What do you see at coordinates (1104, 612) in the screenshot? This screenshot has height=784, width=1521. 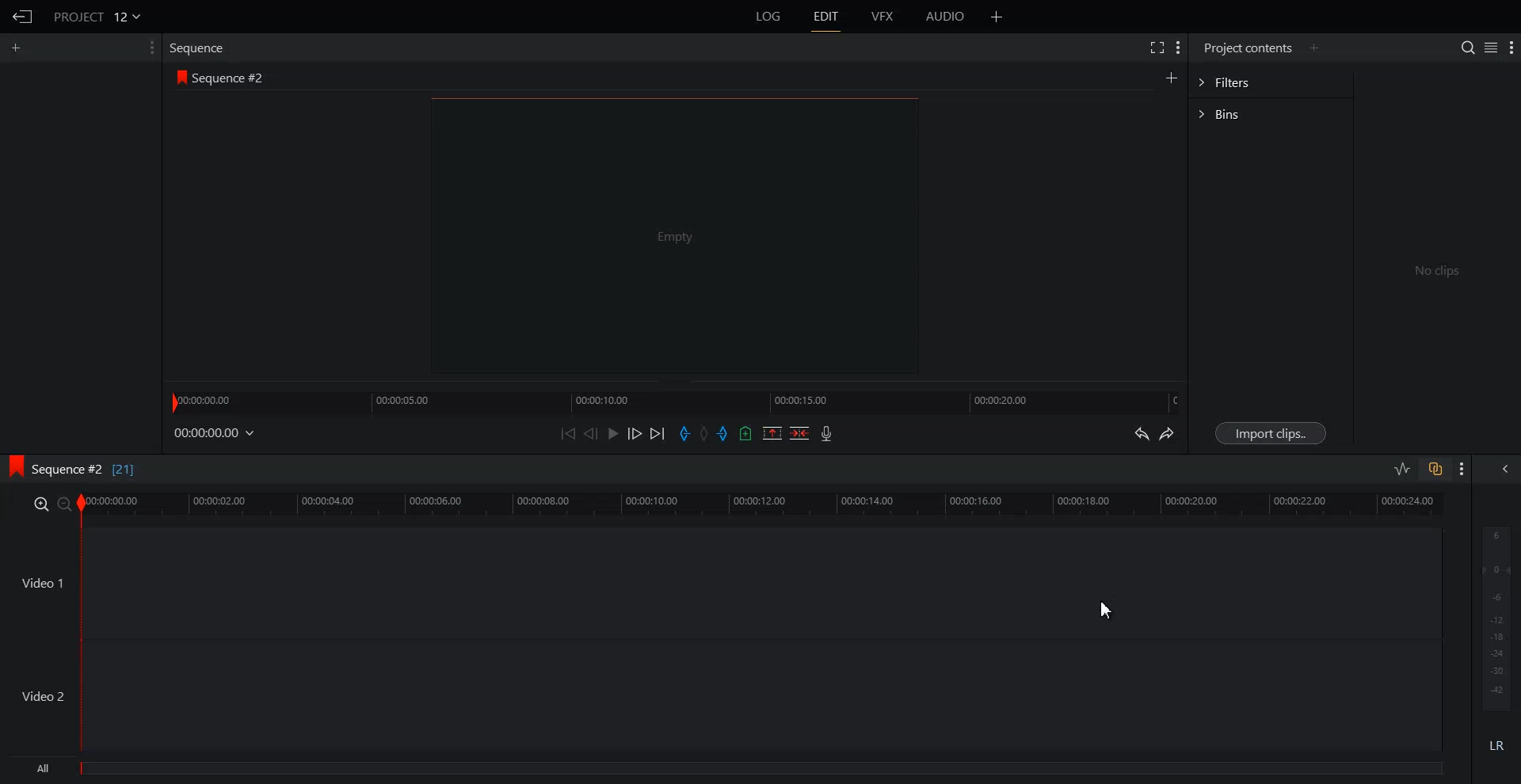 I see `Cursor` at bounding box center [1104, 612].